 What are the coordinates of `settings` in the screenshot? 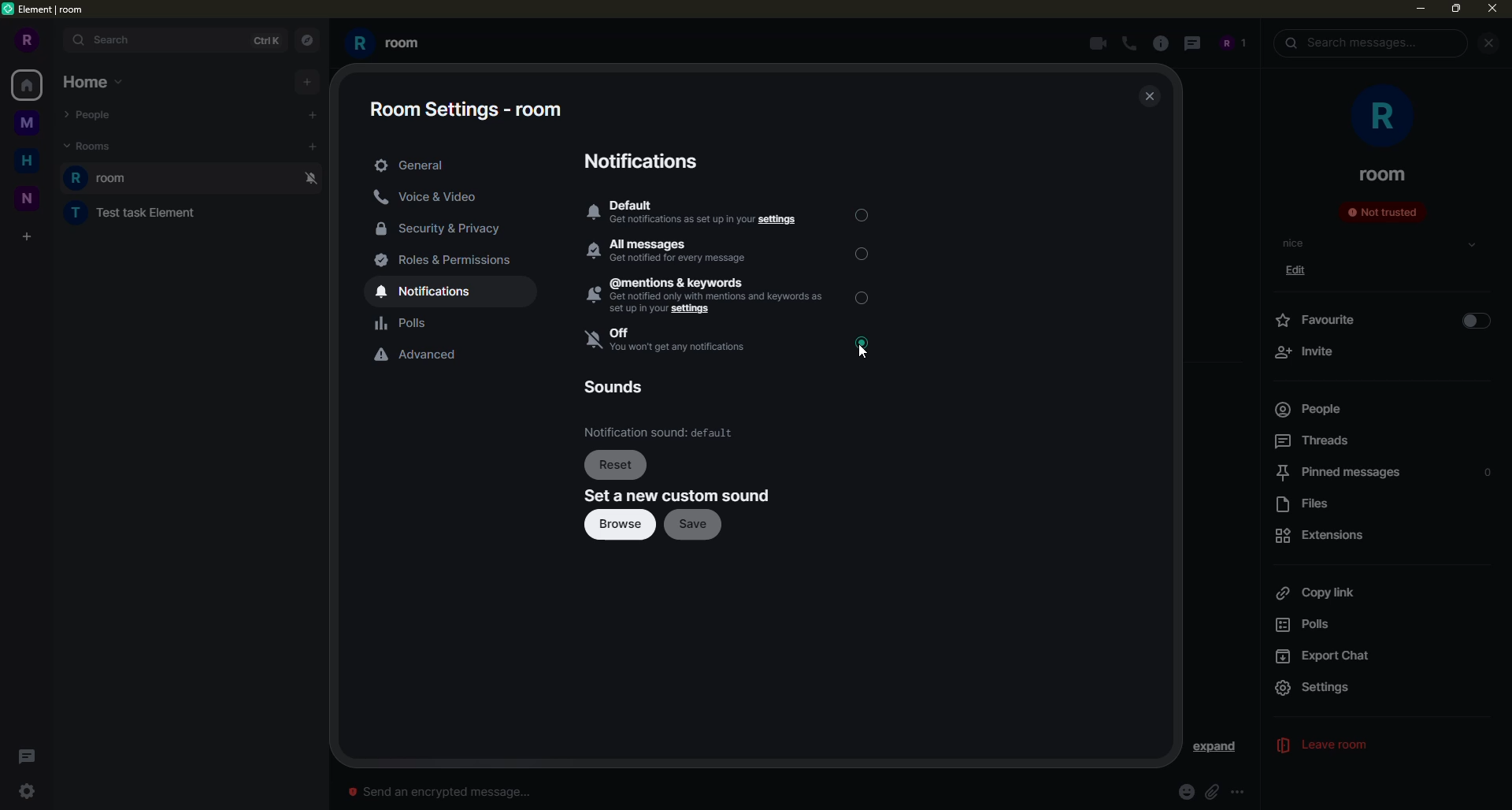 It's located at (1330, 688).